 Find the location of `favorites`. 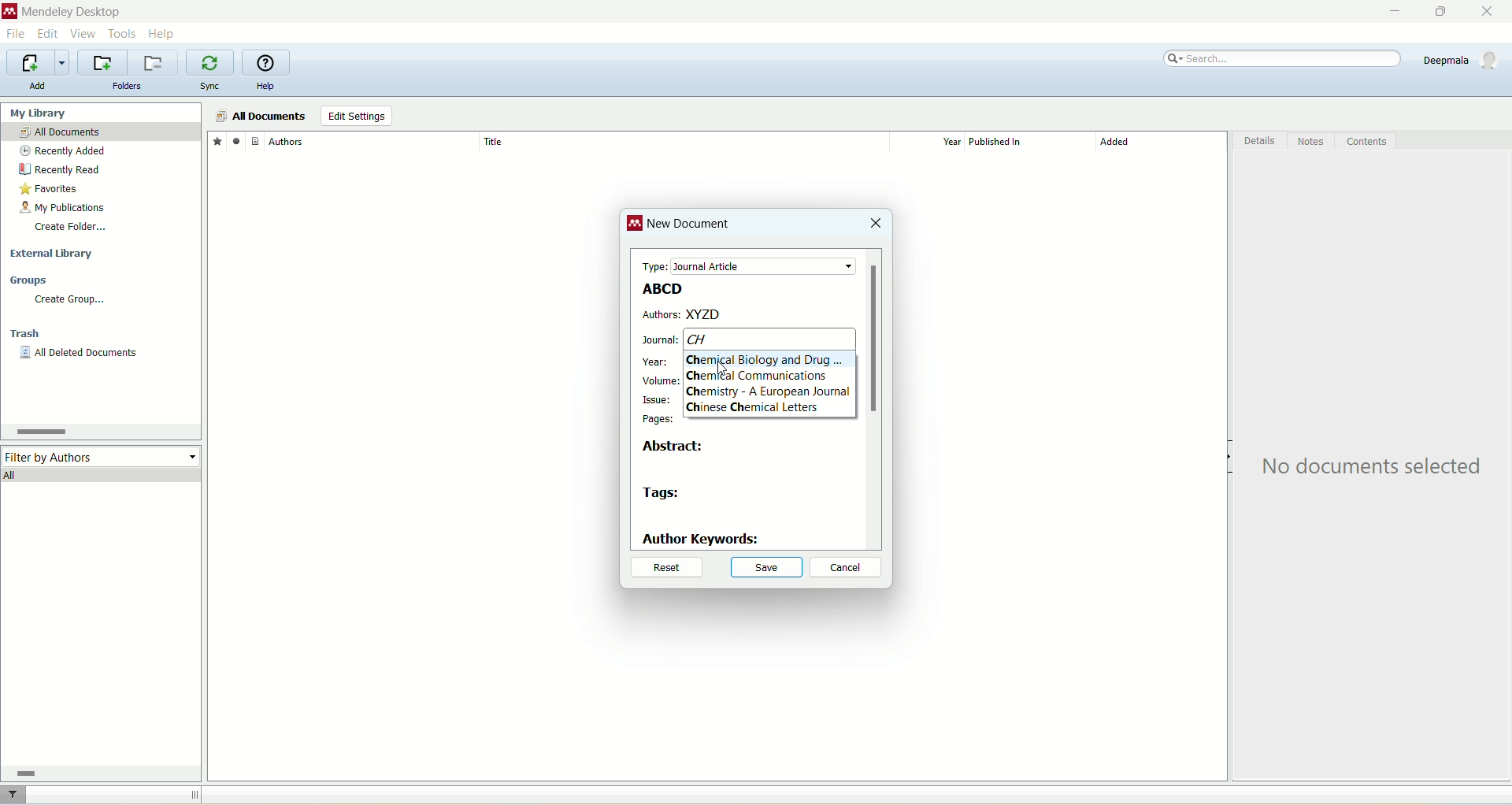

favorites is located at coordinates (50, 191).